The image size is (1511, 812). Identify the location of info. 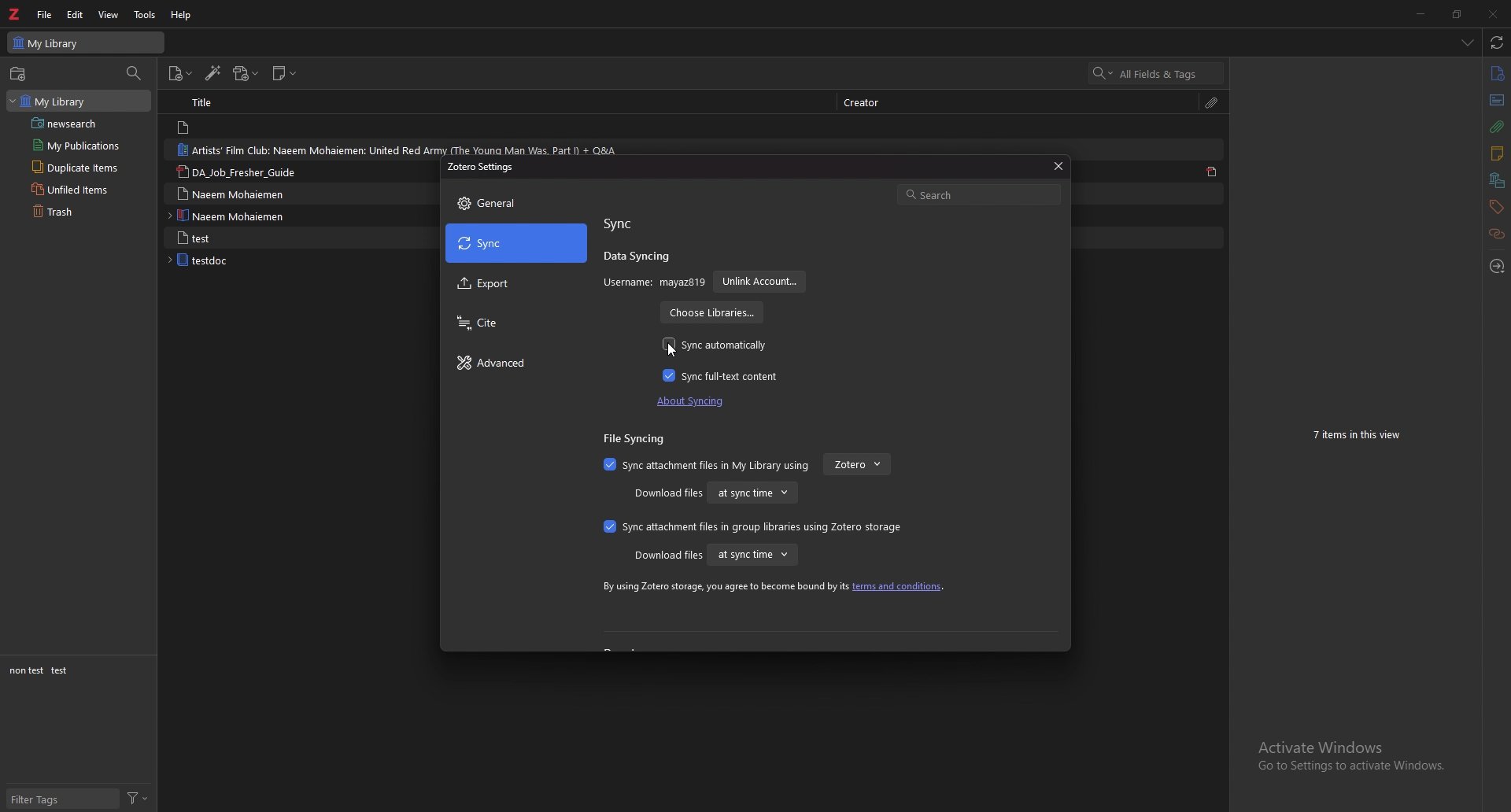
(1496, 73).